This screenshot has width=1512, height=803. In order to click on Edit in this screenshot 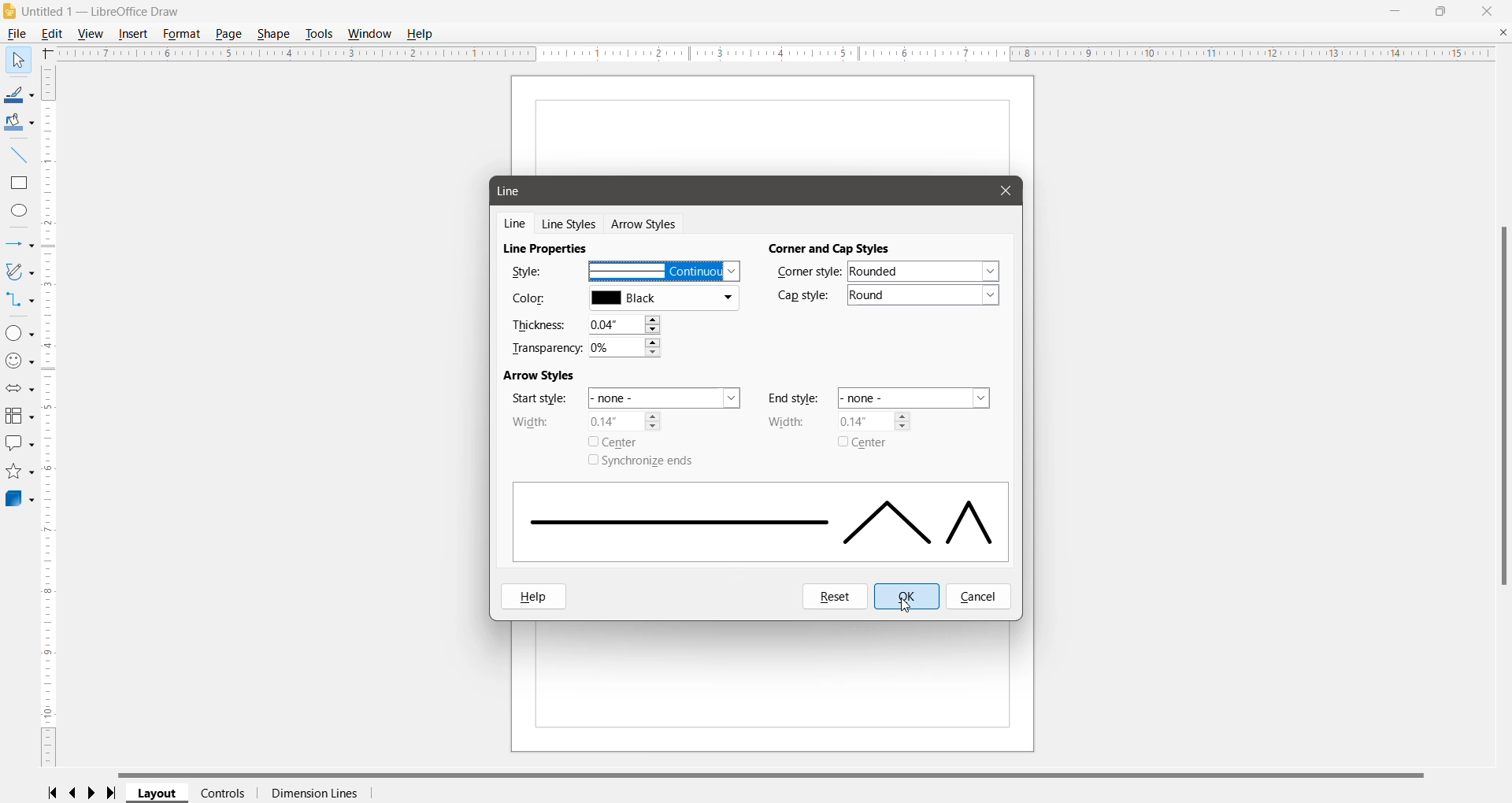, I will do `click(53, 35)`.